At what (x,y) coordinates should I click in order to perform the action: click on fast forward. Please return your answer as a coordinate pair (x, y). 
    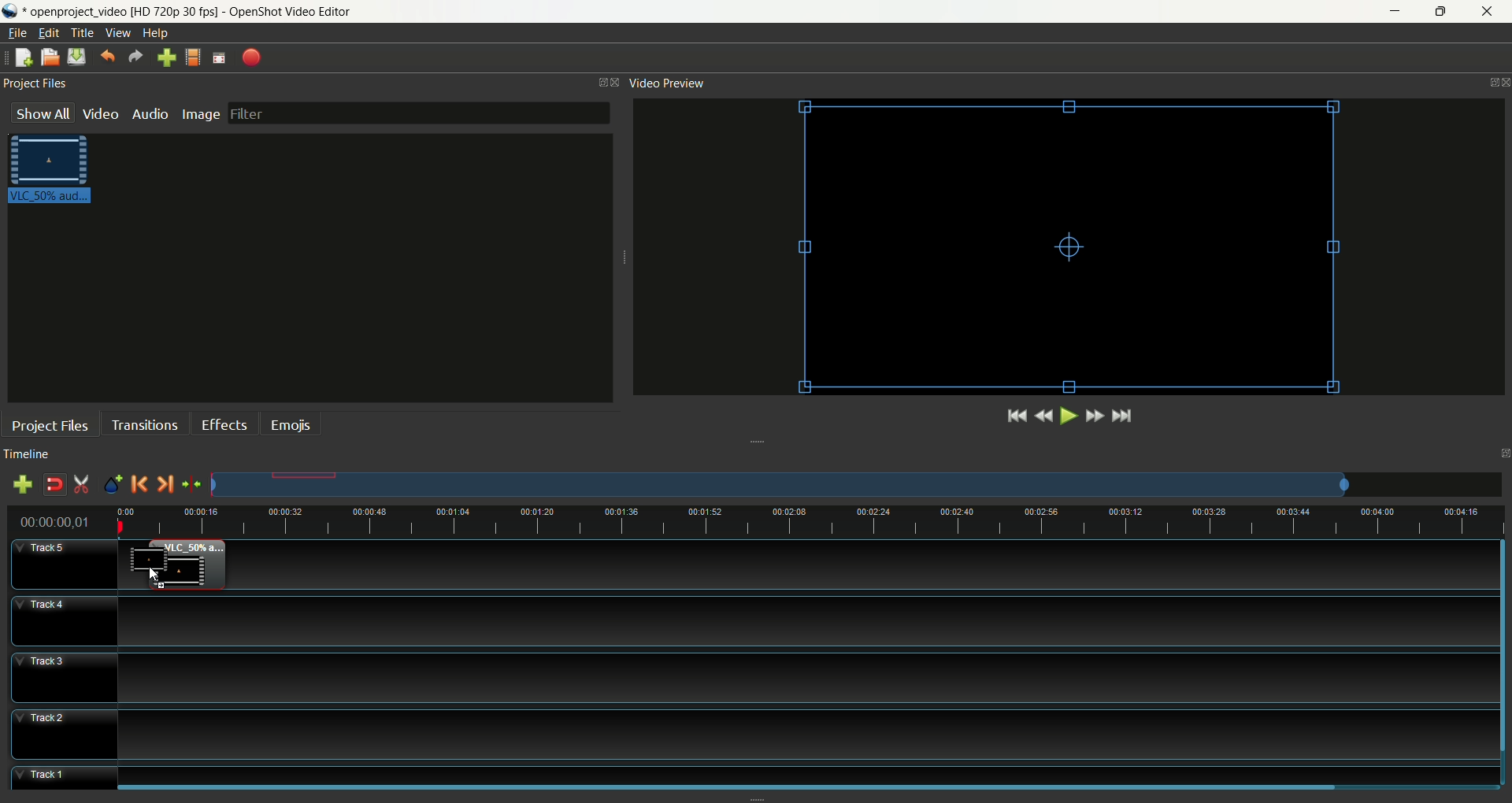
    Looking at the image, I should click on (1095, 420).